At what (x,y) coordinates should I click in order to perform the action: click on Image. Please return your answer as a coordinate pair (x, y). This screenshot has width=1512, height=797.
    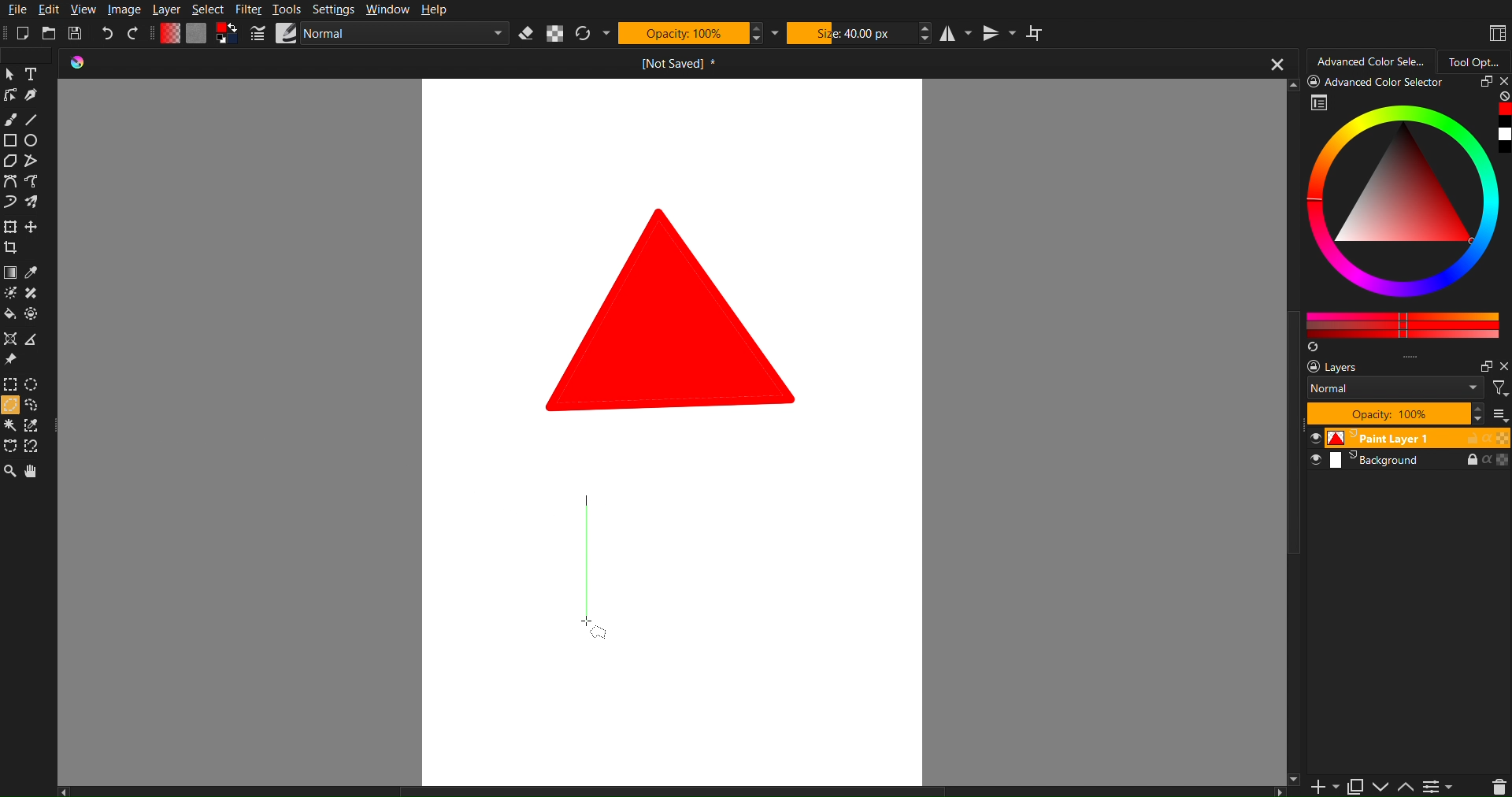
    Looking at the image, I should click on (124, 9).